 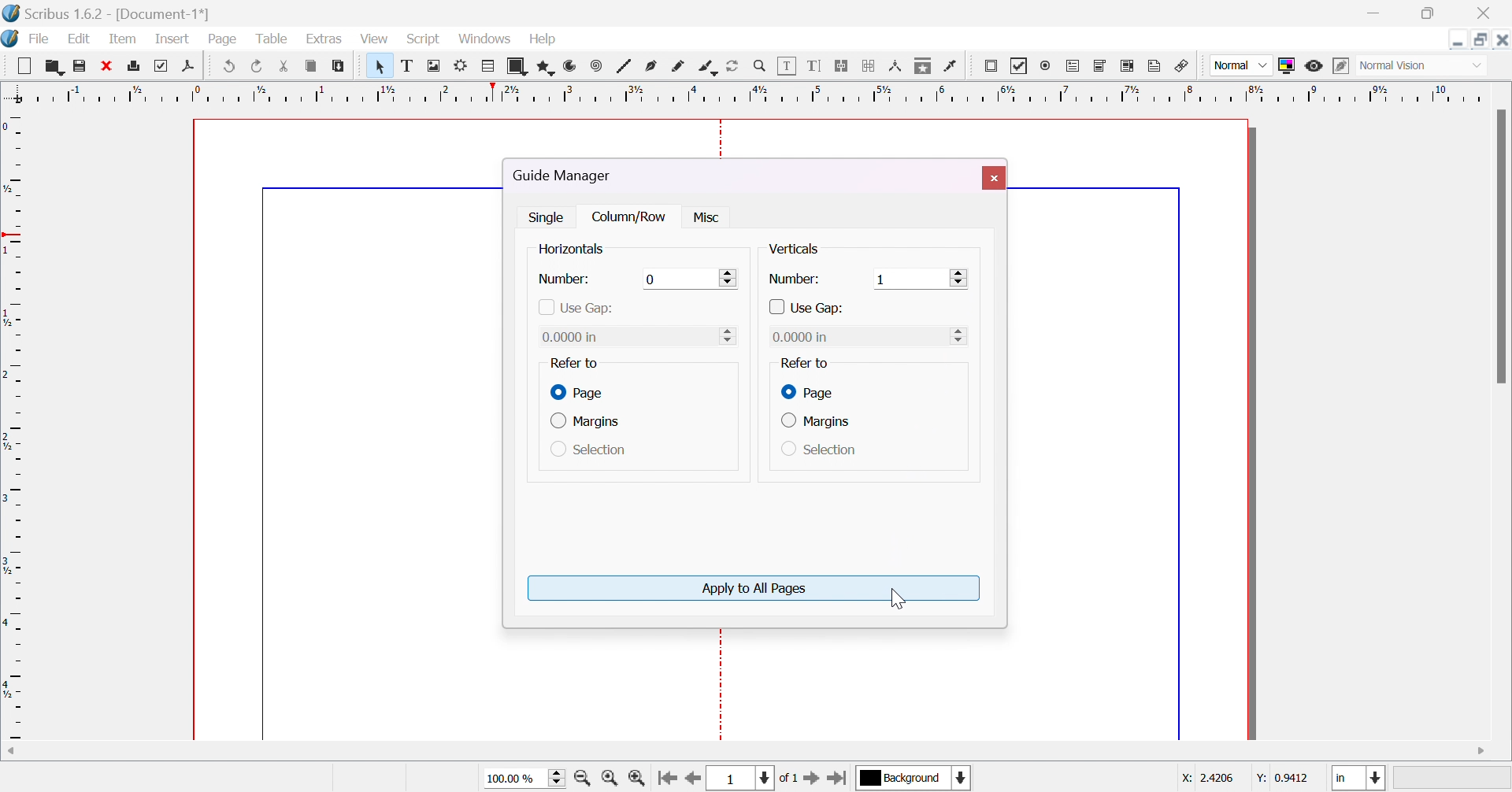 What do you see at coordinates (992, 177) in the screenshot?
I see `close` at bounding box center [992, 177].